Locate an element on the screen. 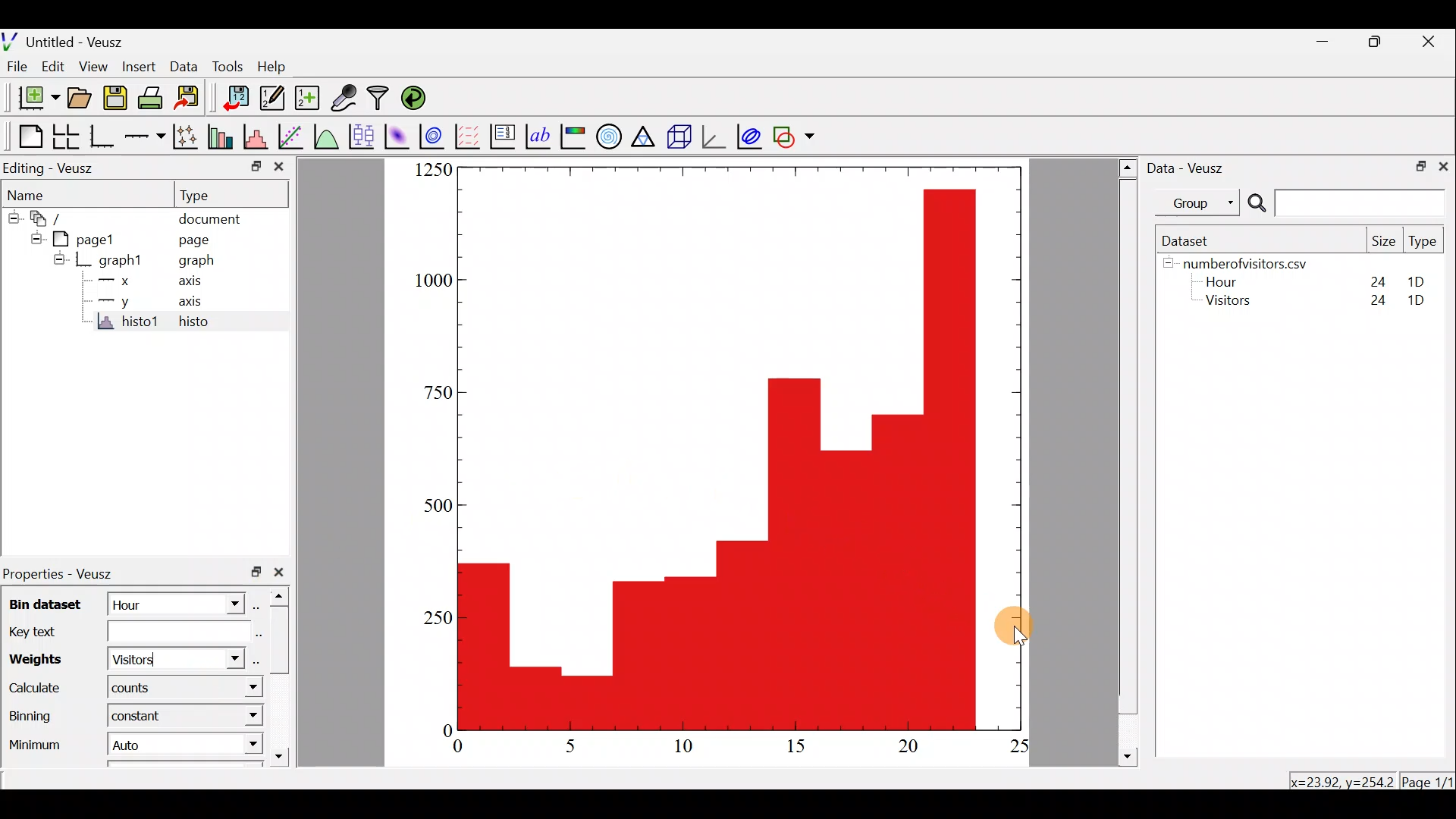  axis is located at coordinates (187, 284).